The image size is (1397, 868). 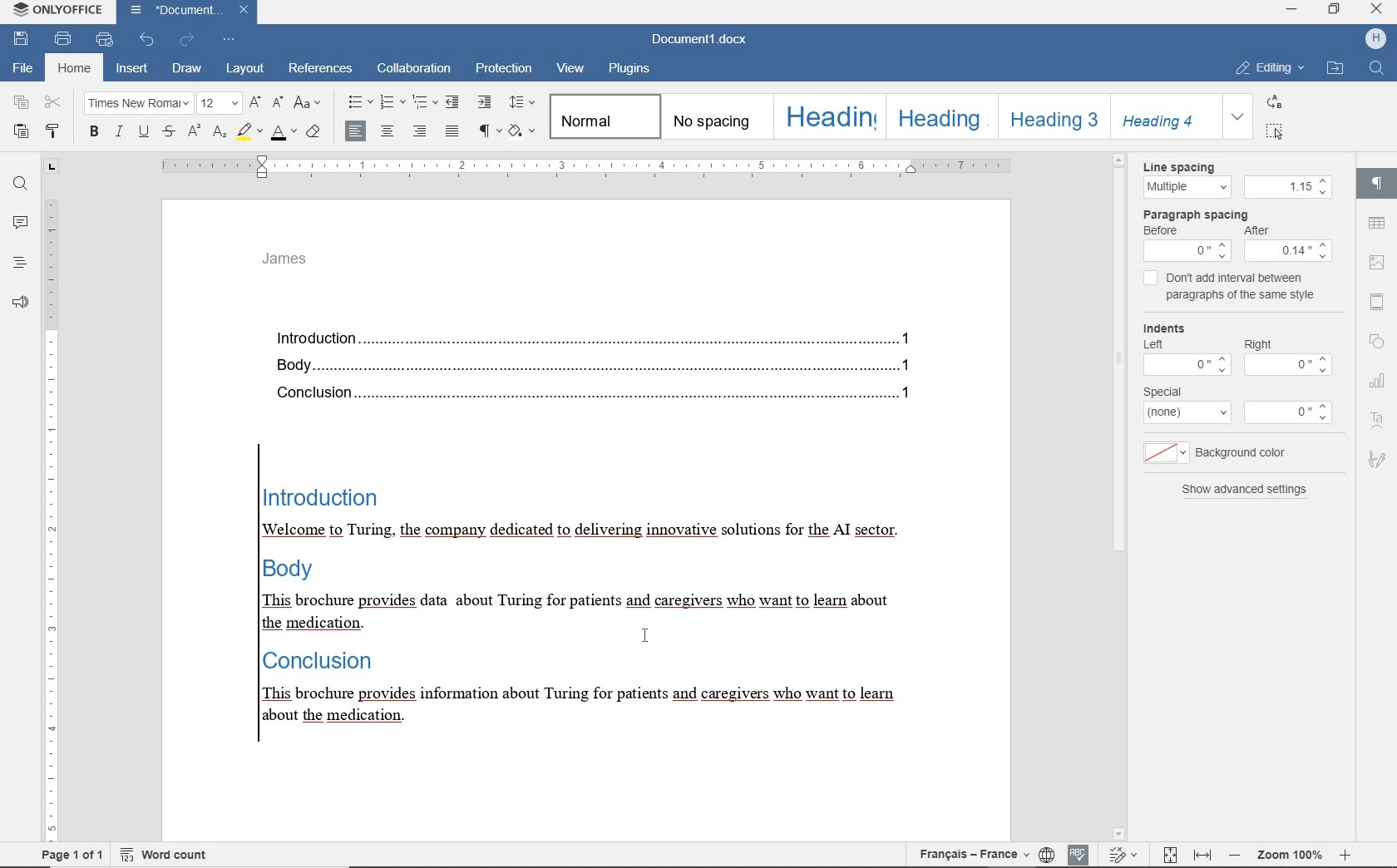 What do you see at coordinates (1201, 856) in the screenshot?
I see `fit to width` at bounding box center [1201, 856].